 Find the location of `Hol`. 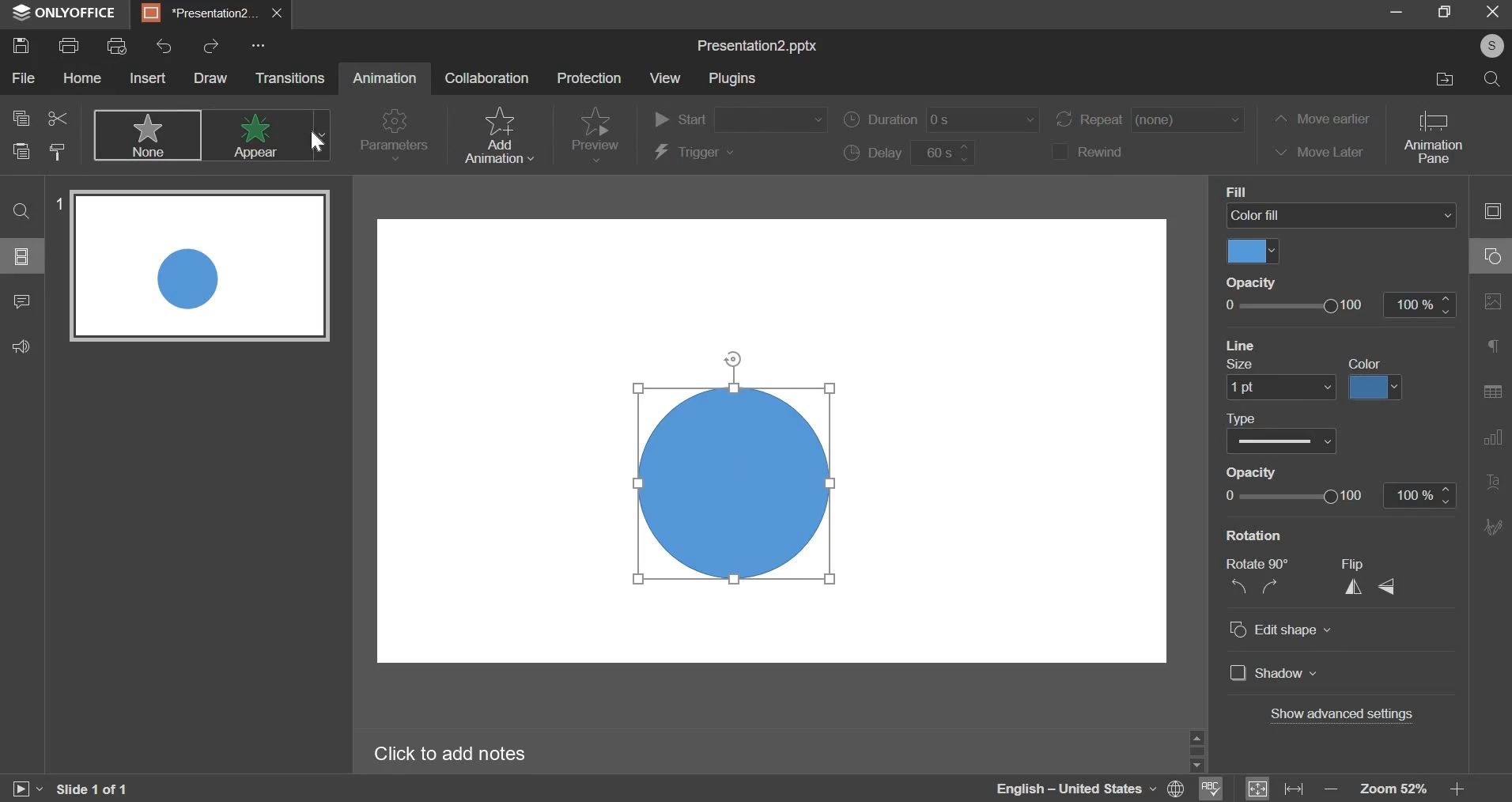

Hol is located at coordinates (83, 81).